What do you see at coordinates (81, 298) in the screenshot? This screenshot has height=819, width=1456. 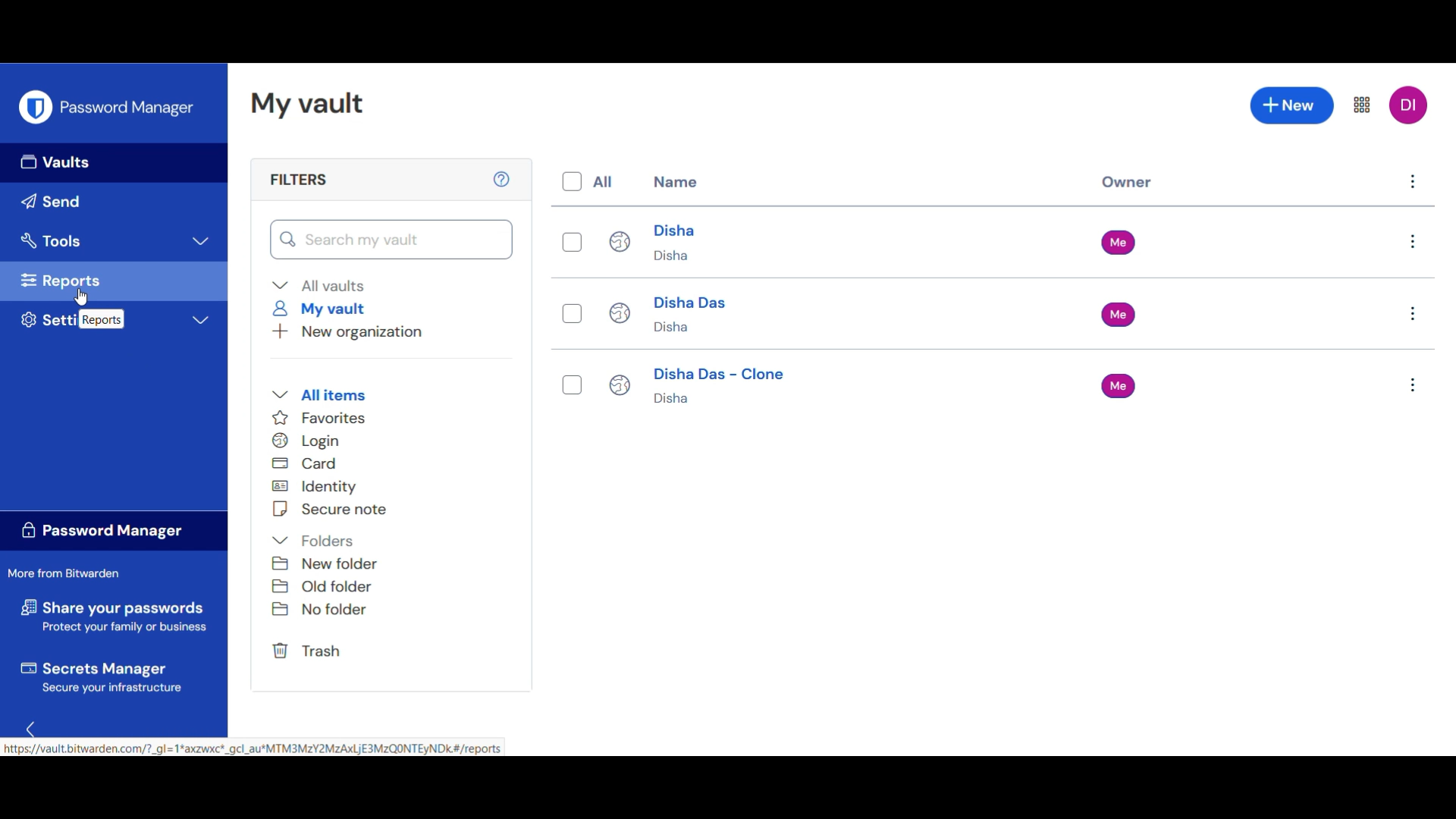 I see `cursor` at bounding box center [81, 298].